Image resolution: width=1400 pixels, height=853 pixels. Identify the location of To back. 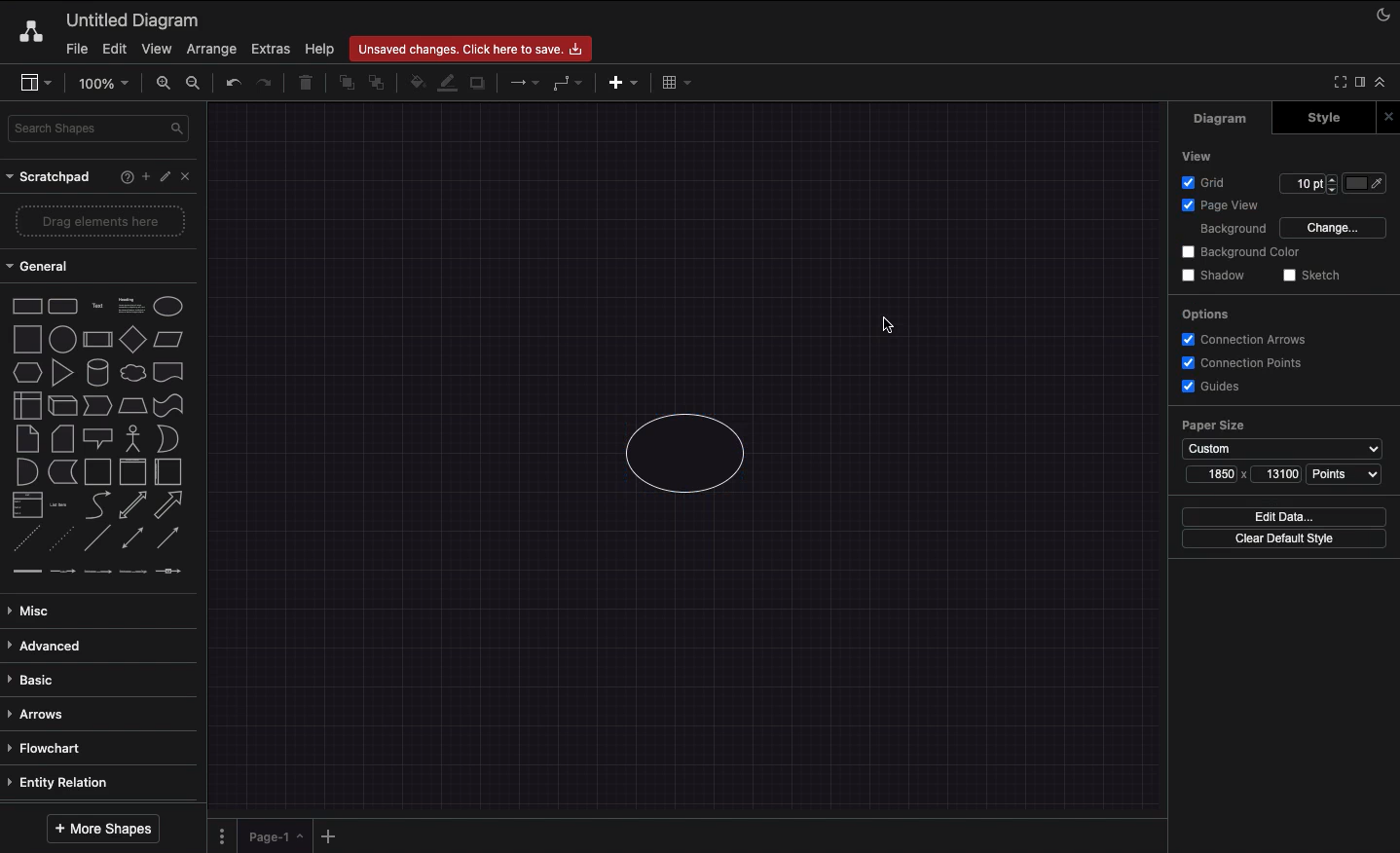
(380, 82).